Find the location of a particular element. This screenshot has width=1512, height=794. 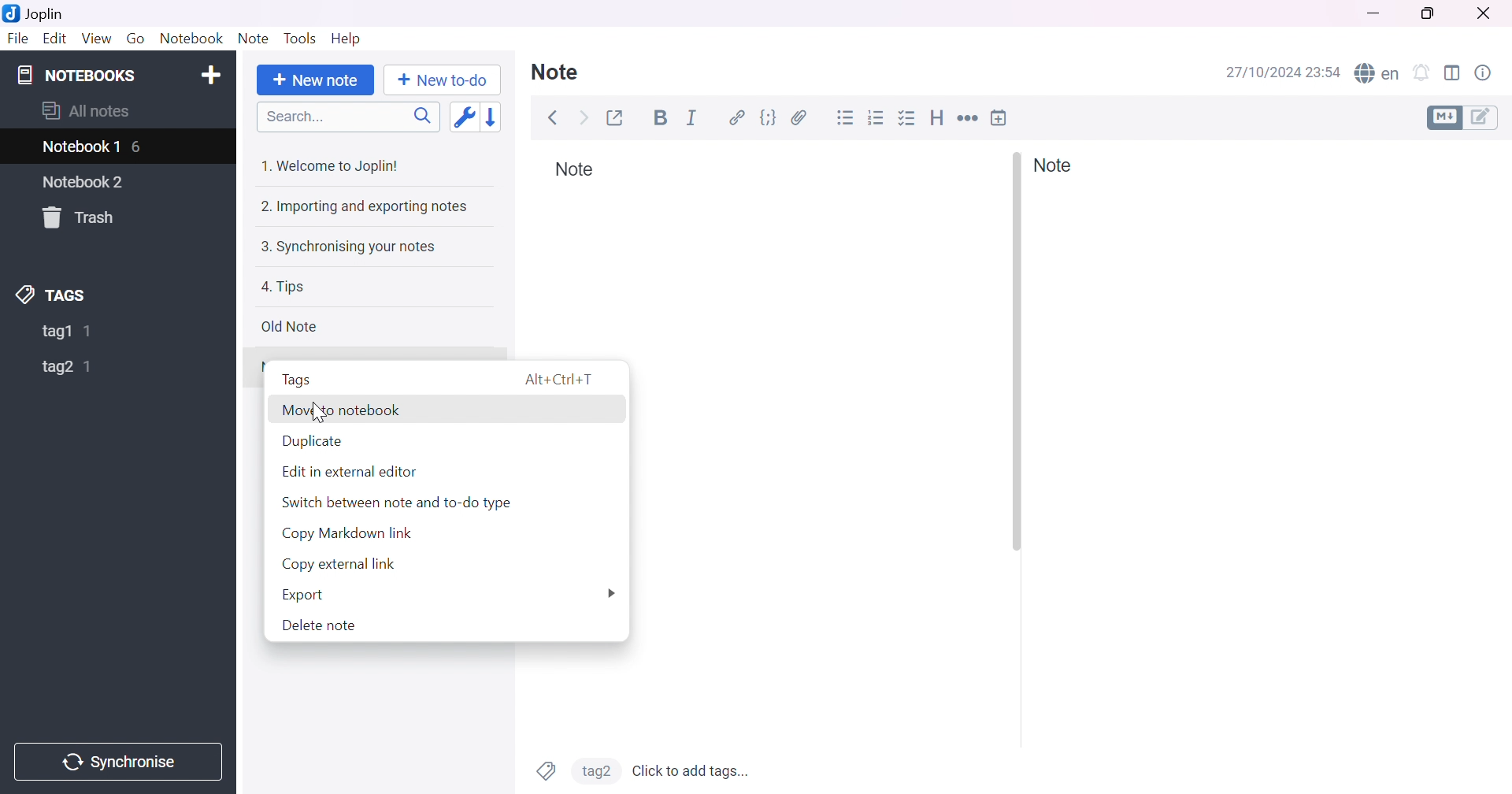

Search... is located at coordinates (291, 118).